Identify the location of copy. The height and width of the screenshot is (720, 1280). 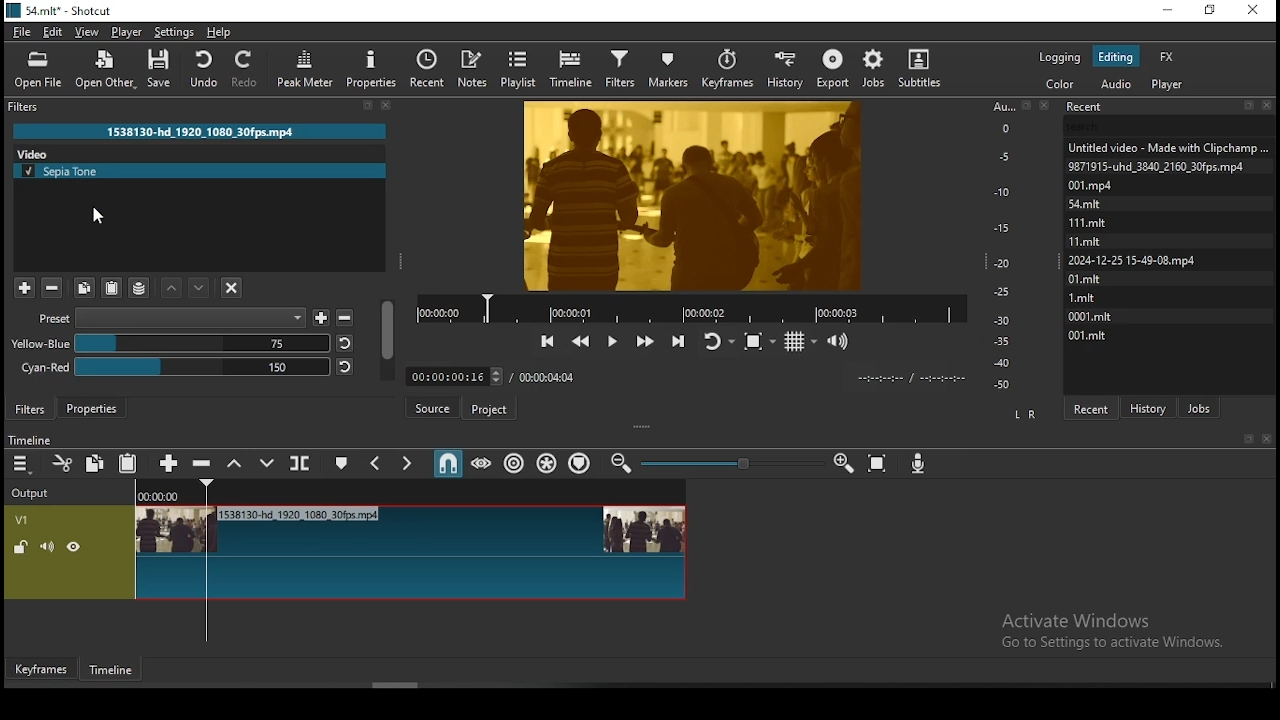
(97, 464).